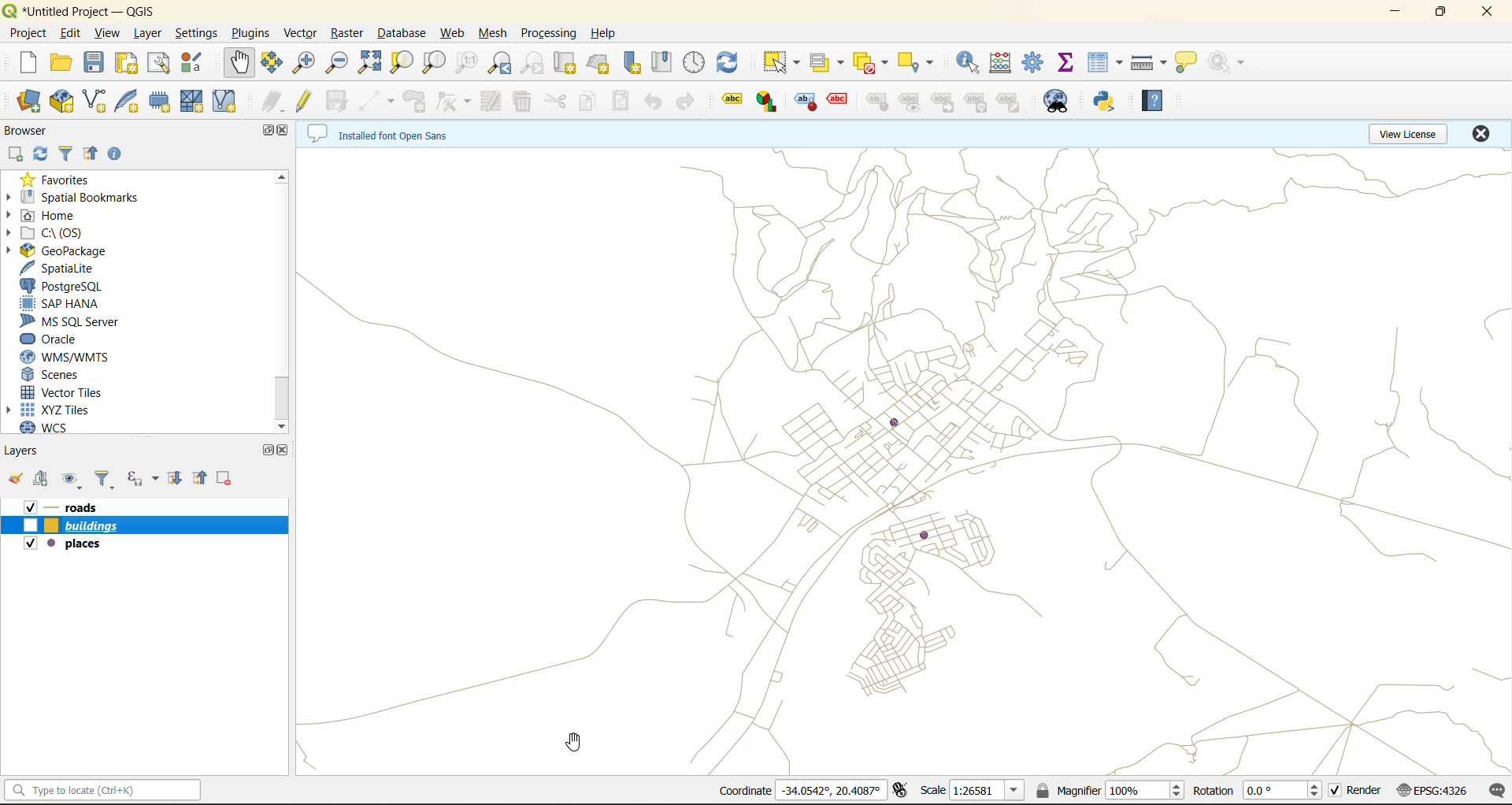 The height and width of the screenshot is (805, 1512). I want to click on metasearch, so click(1061, 102).